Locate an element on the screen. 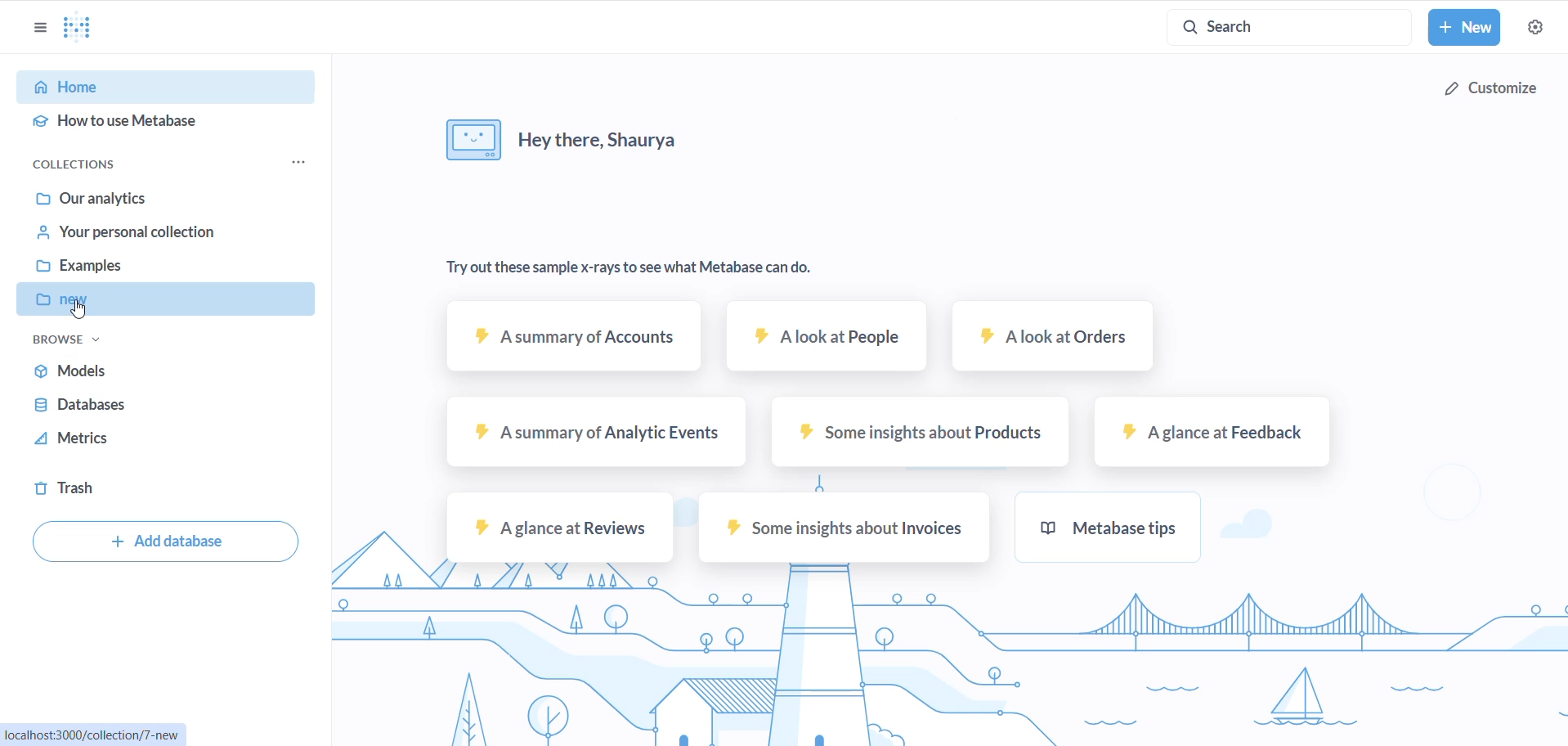  Try out these sample x-rays to see what Metabase can do. is located at coordinates (638, 267).